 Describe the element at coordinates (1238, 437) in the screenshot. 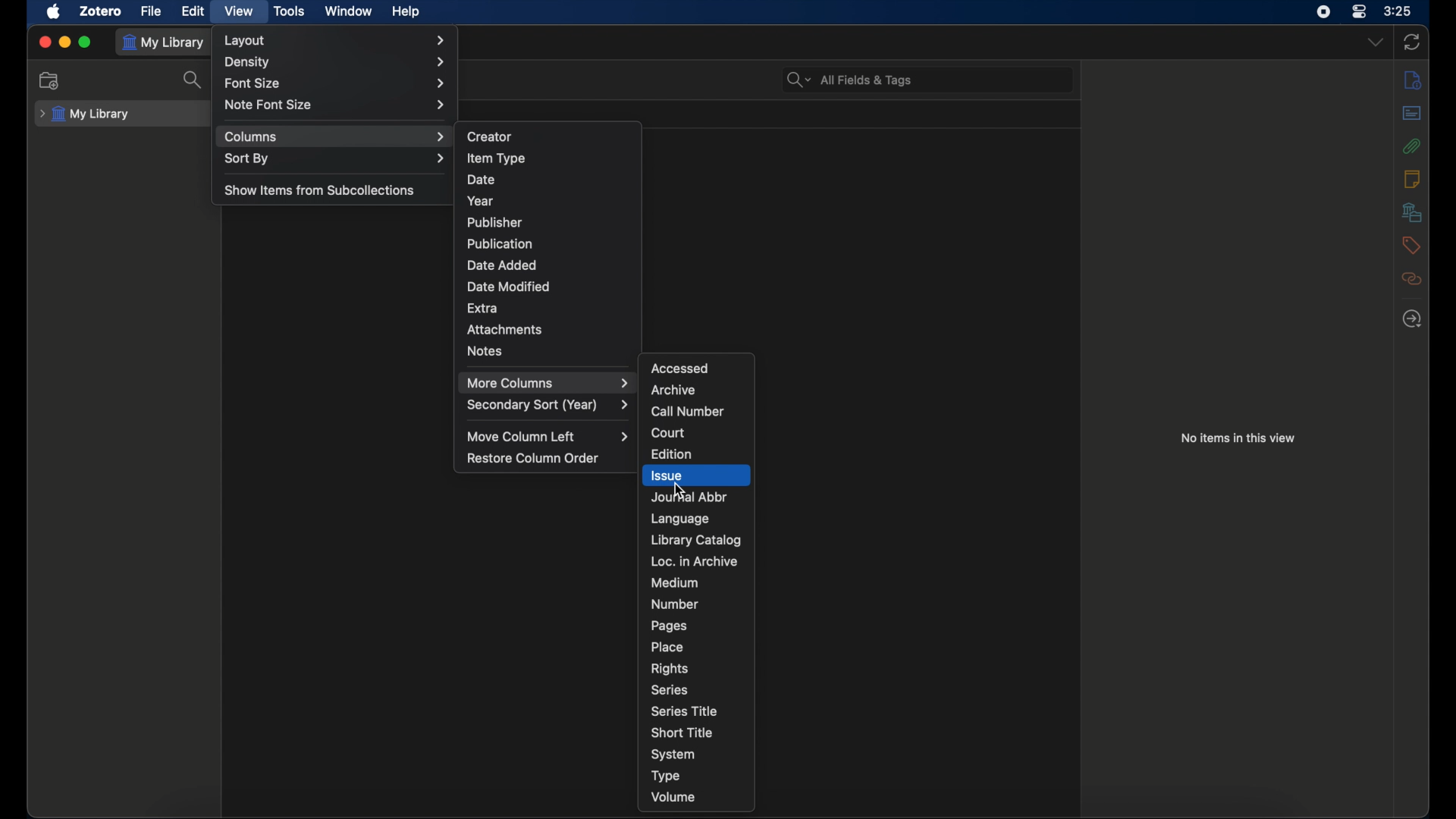

I see `no items in this view` at that location.